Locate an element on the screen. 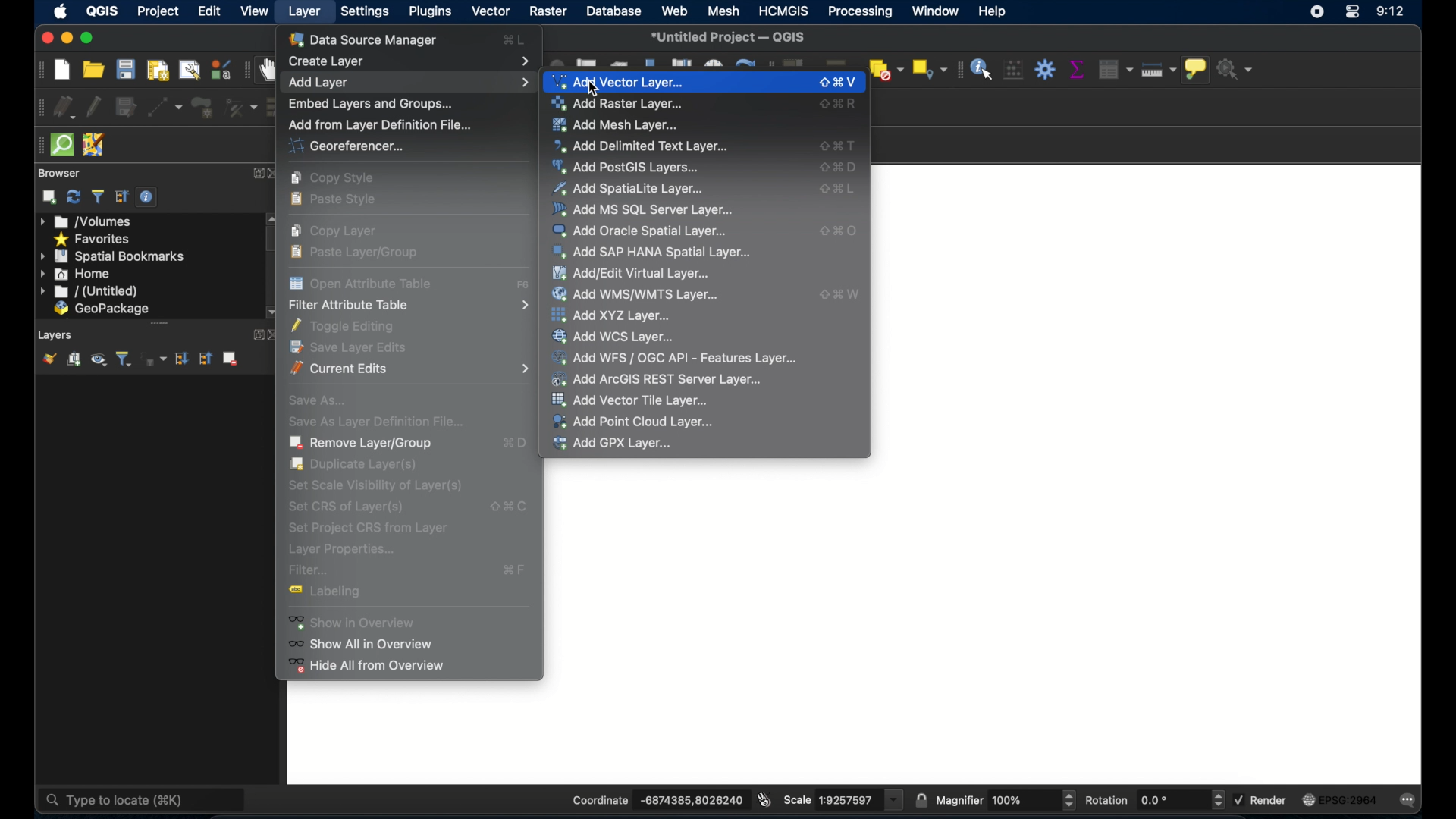 The width and height of the screenshot is (1456, 819). open field calculator is located at coordinates (1013, 70).